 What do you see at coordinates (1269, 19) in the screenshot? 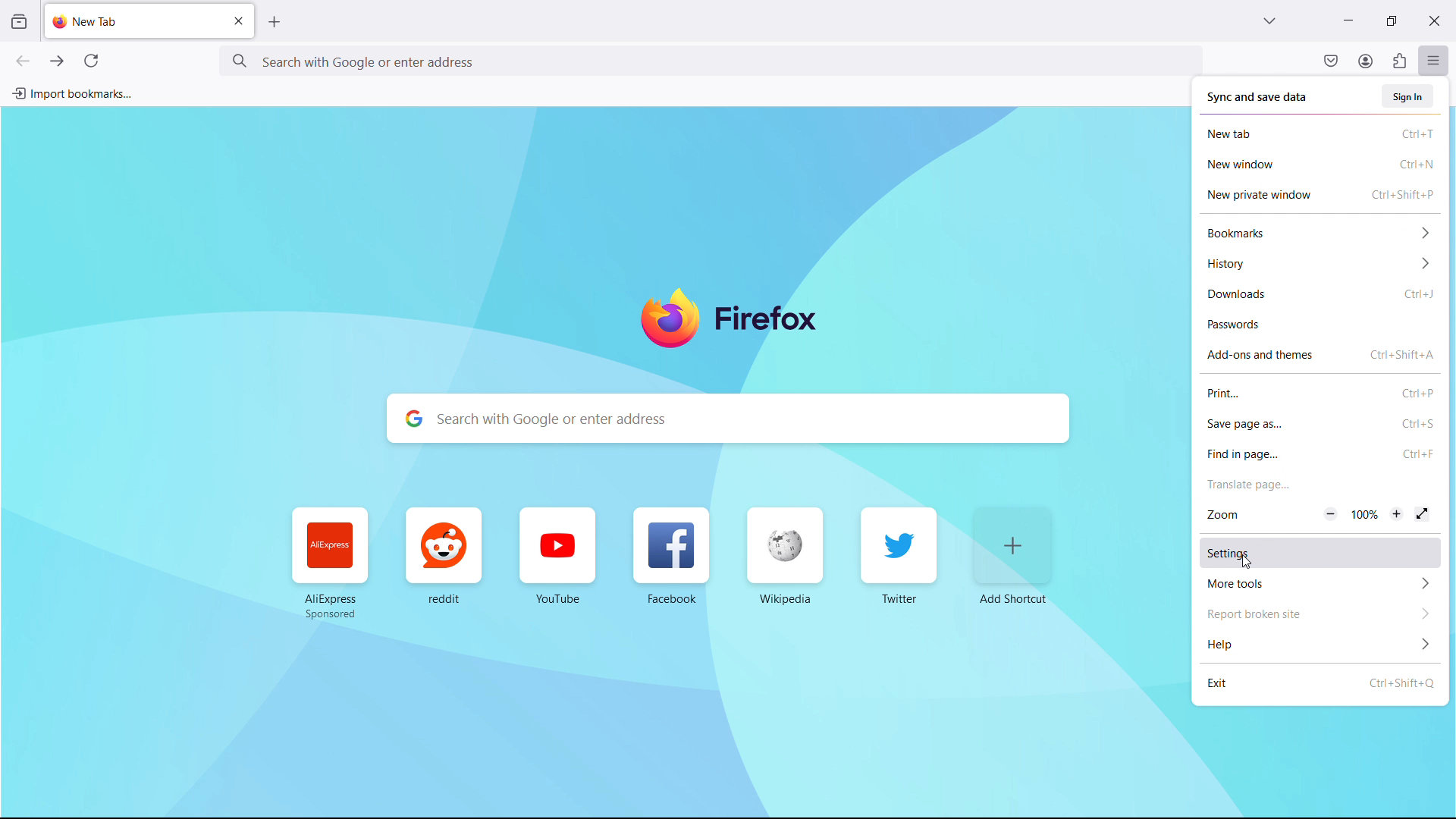
I see `list all tabs` at bounding box center [1269, 19].